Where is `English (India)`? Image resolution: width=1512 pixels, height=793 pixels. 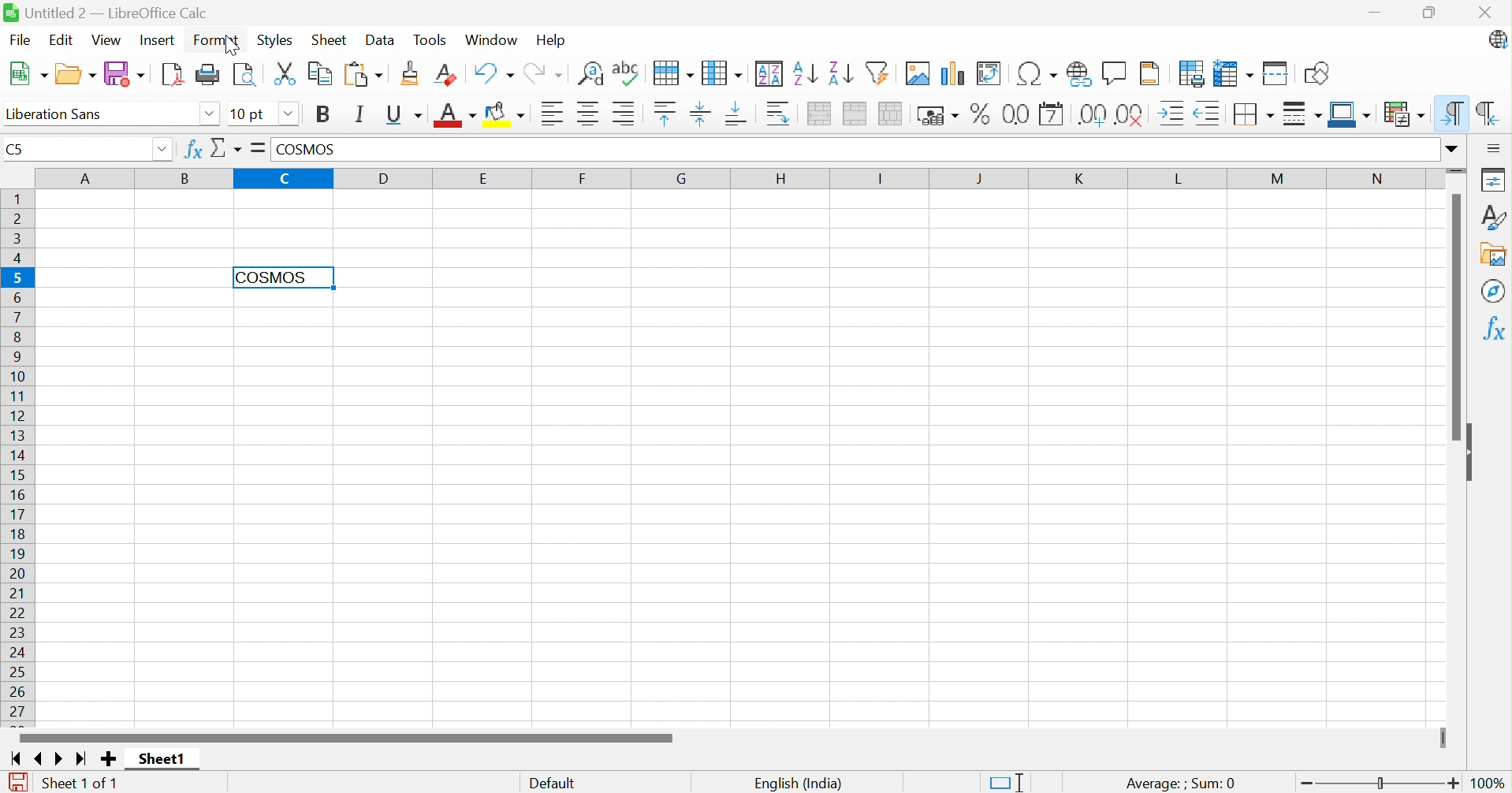 English (India) is located at coordinates (798, 784).